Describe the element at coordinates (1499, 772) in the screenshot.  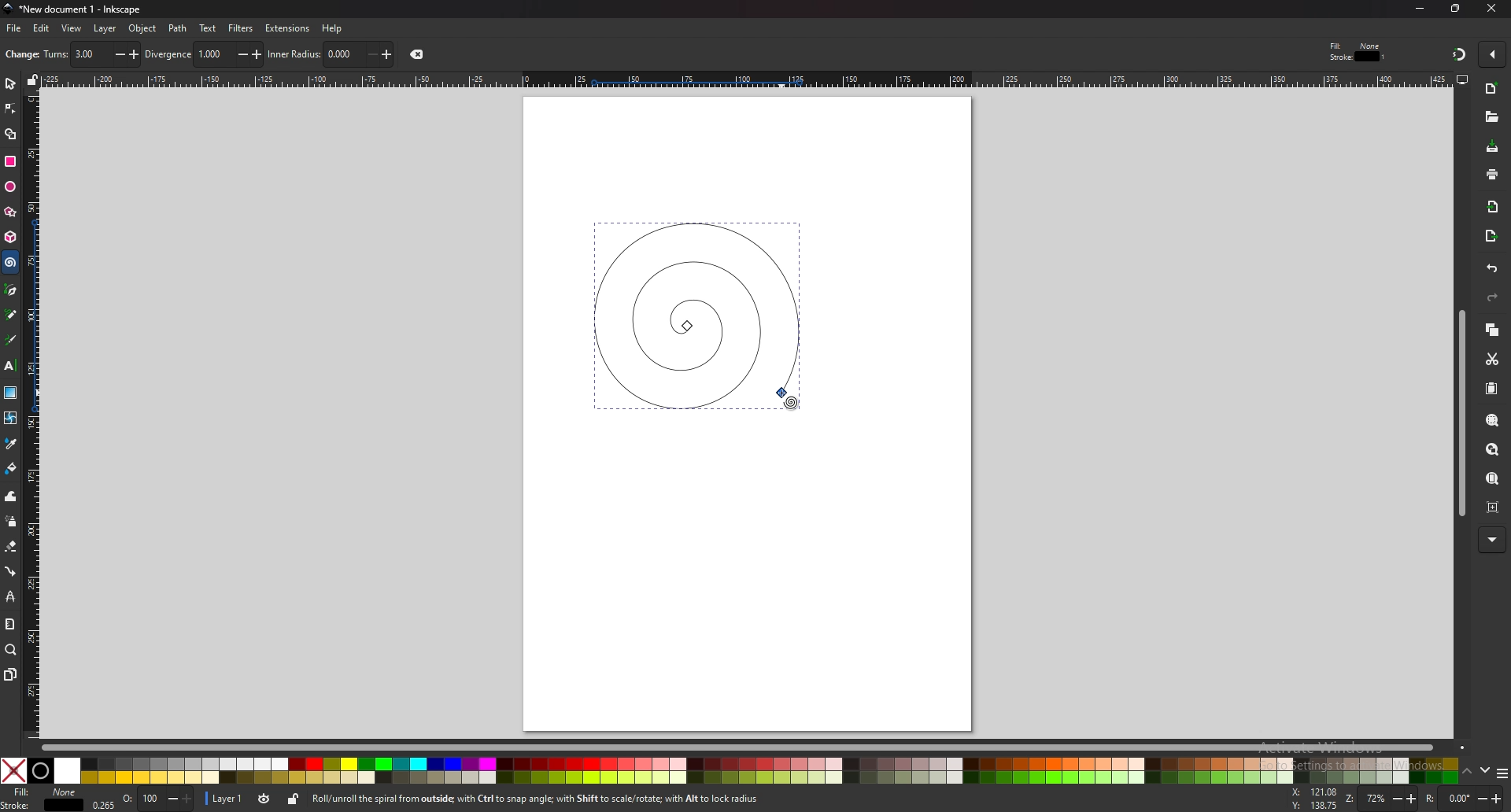
I see `more colors` at that location.